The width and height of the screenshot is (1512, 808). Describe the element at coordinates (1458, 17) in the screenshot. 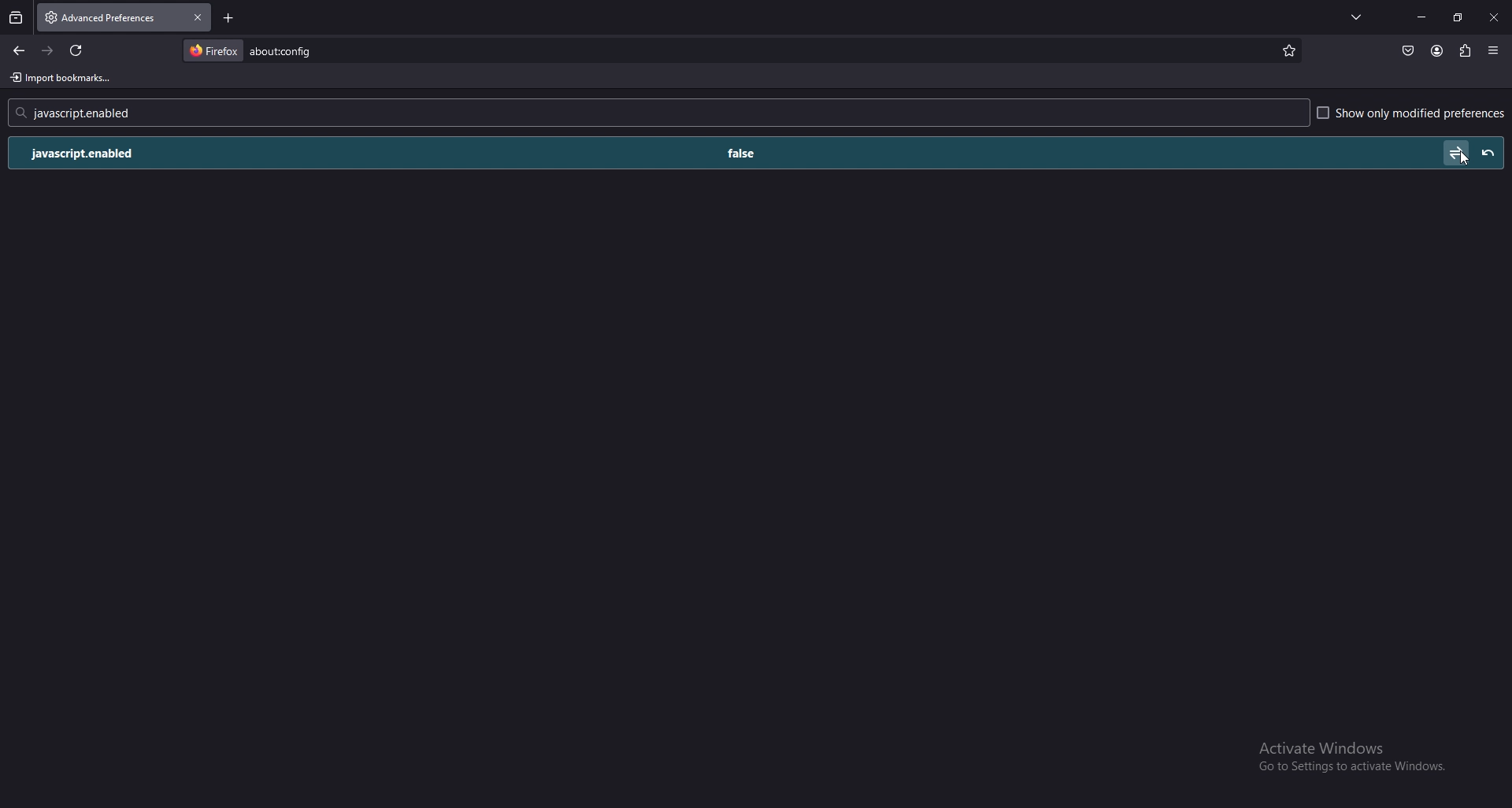

I see `resize` at that location.